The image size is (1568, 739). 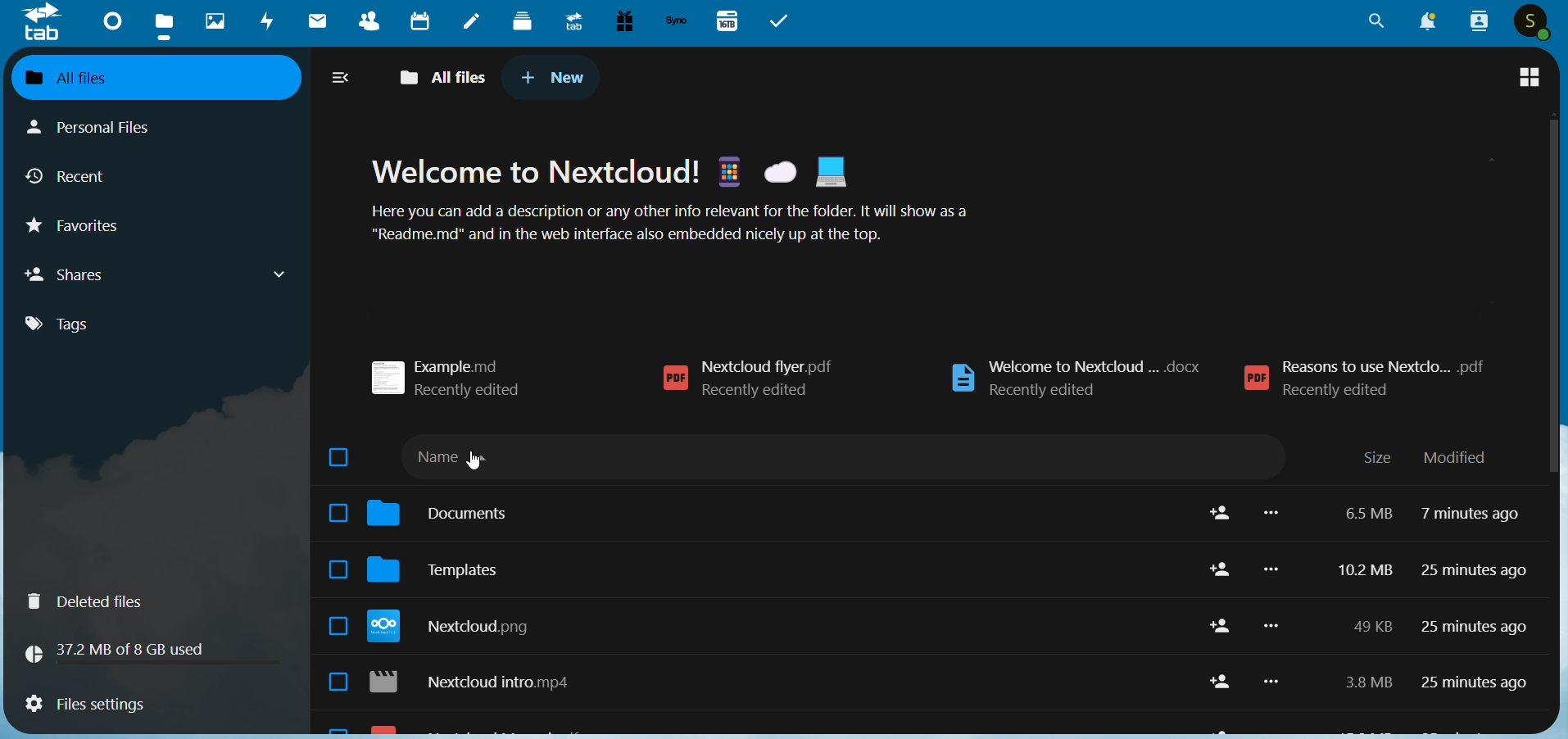 I want to click on Contacts, so click(x=1477, y=21).